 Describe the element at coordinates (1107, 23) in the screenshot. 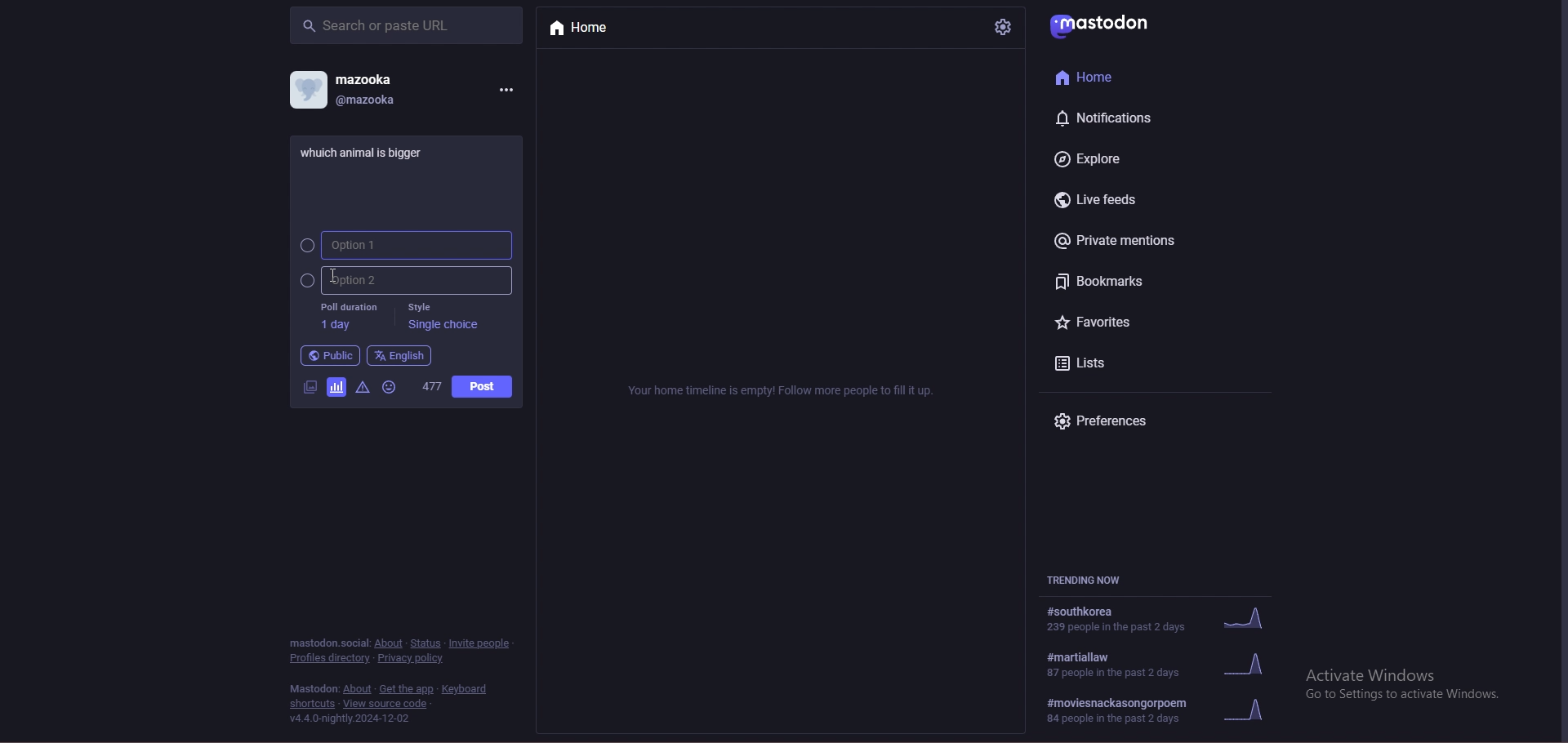

I see `mastodon` at that location.